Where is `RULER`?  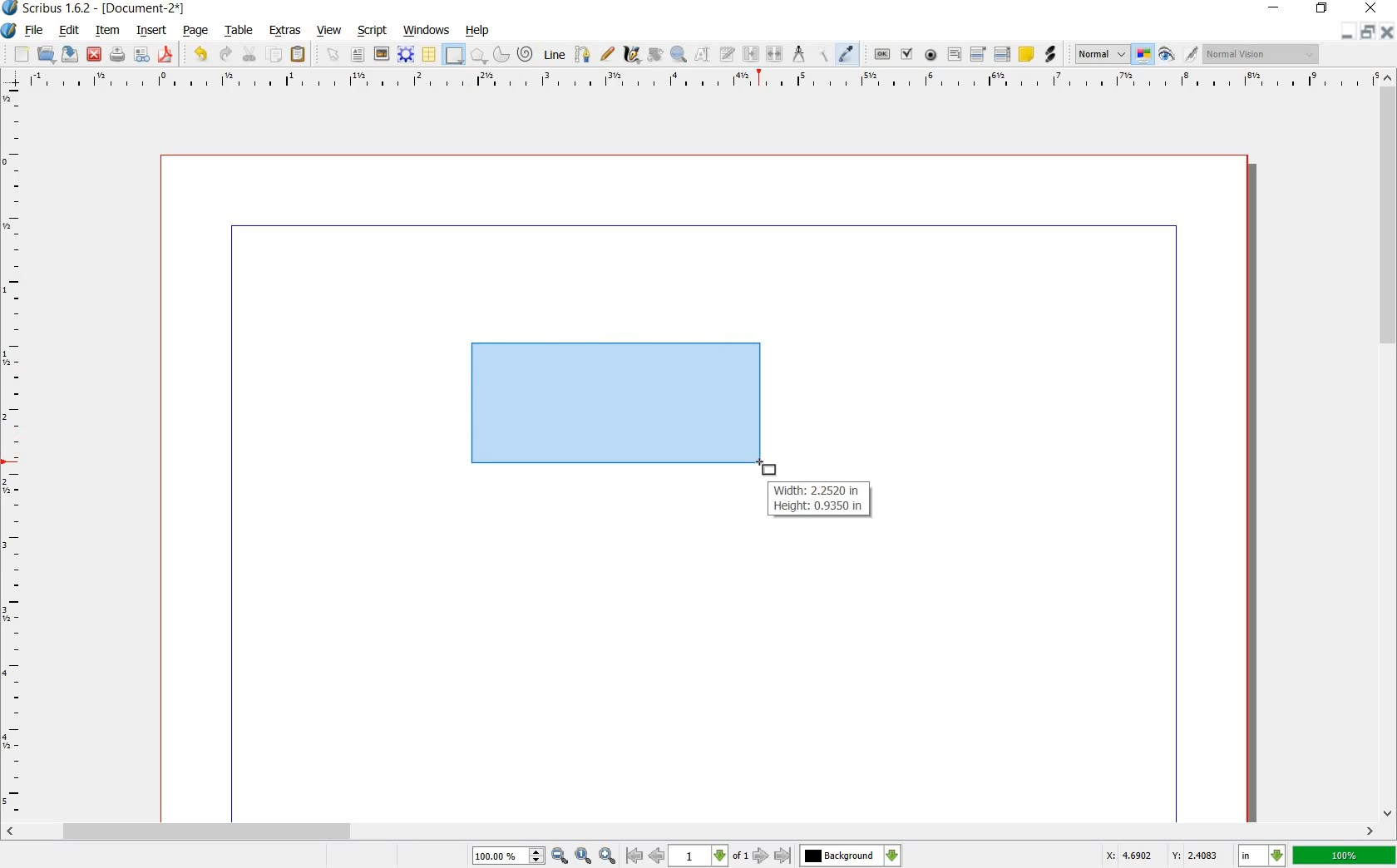 RULER is located at coordinates (700, 81).